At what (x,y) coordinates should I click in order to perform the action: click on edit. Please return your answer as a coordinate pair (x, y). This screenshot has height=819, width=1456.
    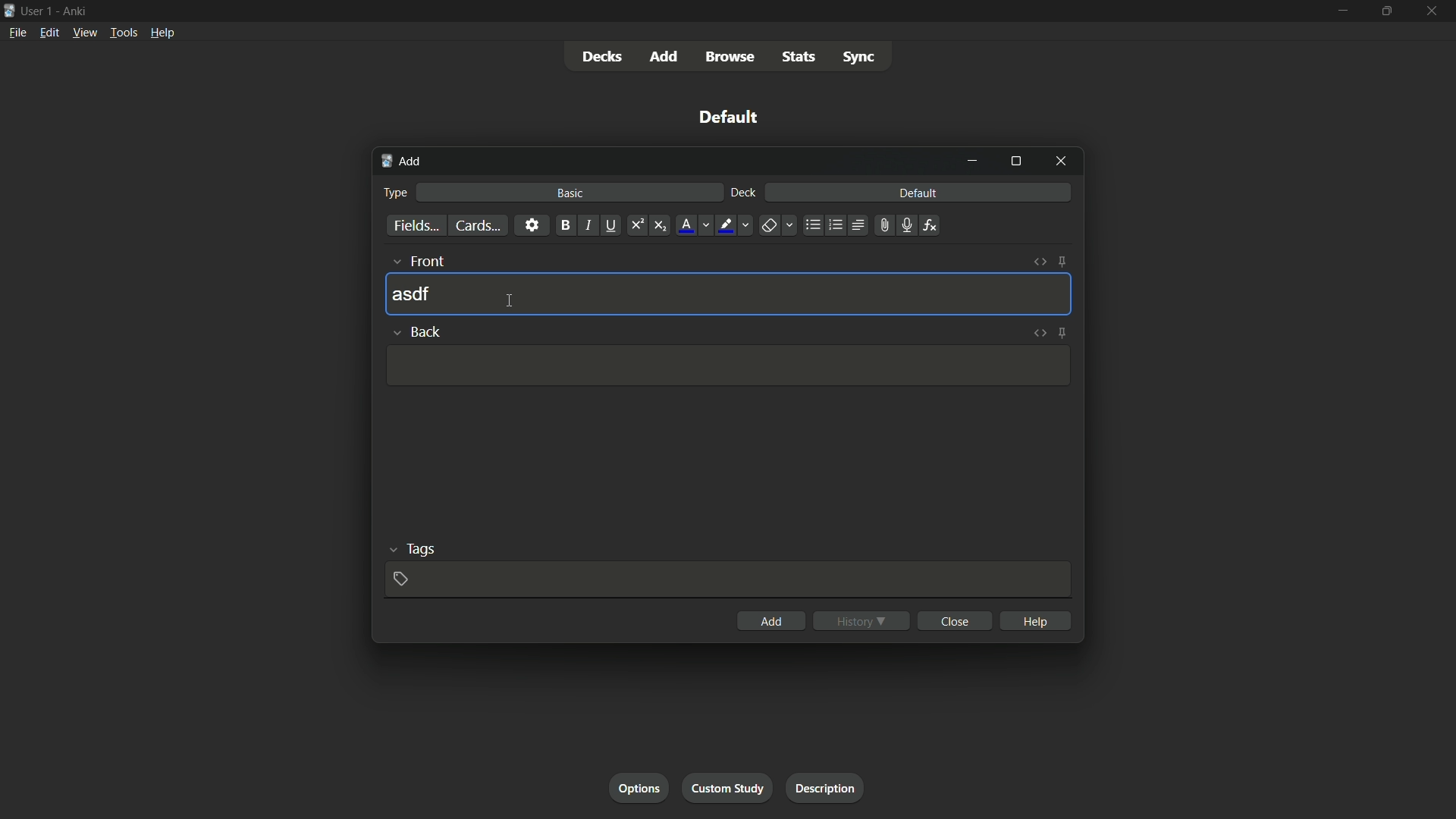
    Looking at the image, I should click on (49, 33).